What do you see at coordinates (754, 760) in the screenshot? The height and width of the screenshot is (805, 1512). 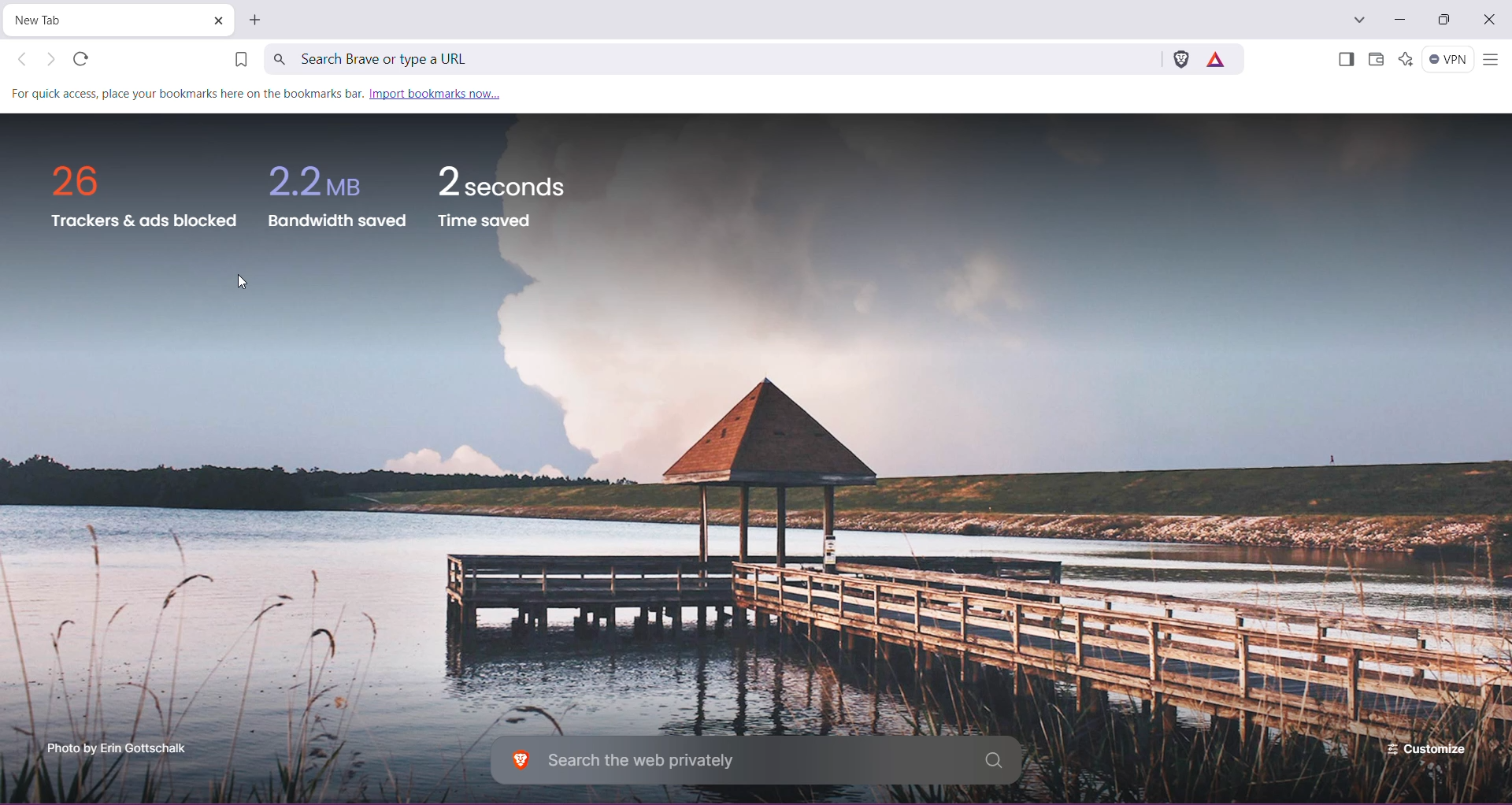 I see `Search the web privately` at bounding box center [754, 760].